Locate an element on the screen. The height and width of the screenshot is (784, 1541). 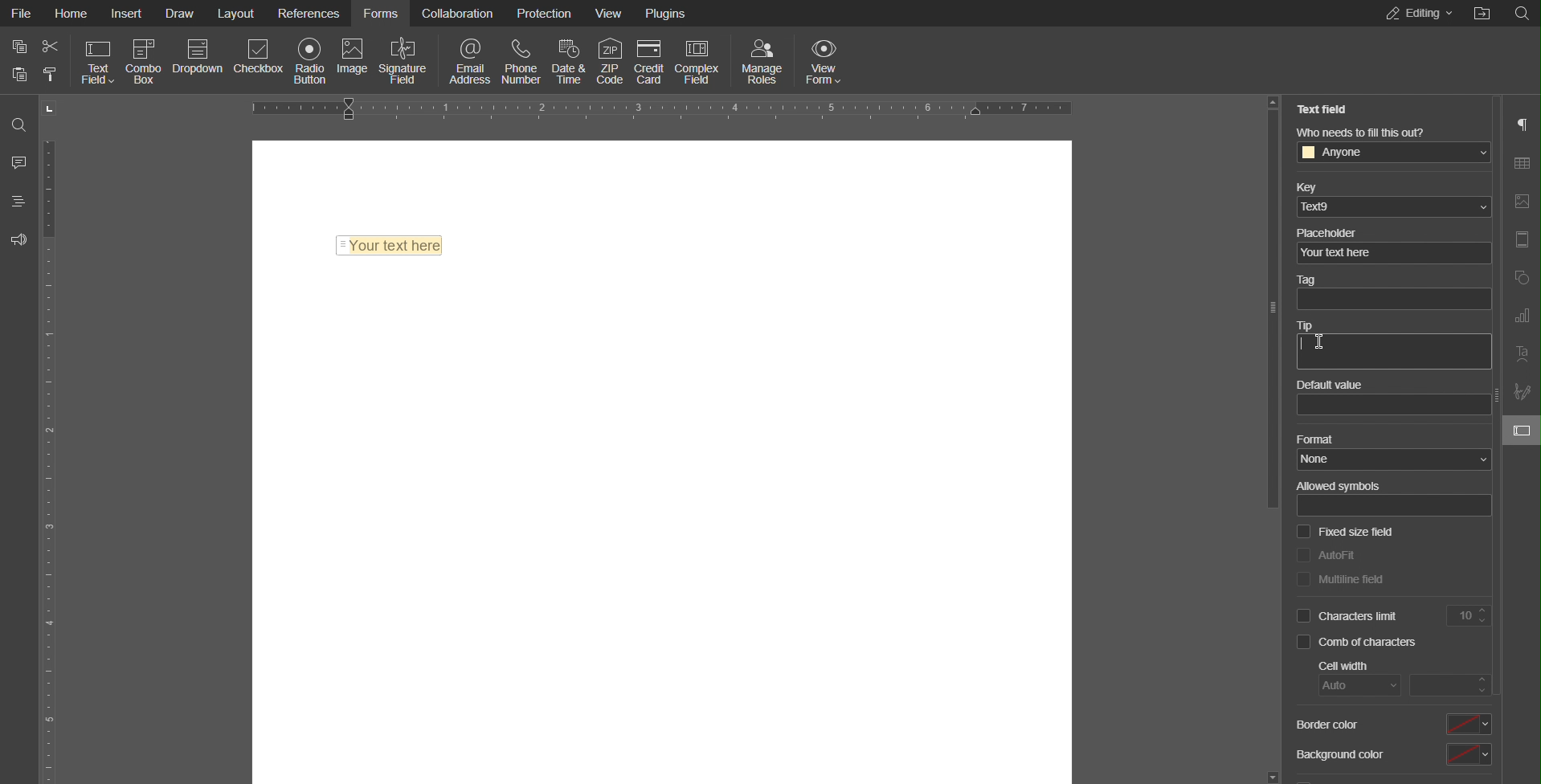
Paragraph Settings is located at coordinates (1521, 123).